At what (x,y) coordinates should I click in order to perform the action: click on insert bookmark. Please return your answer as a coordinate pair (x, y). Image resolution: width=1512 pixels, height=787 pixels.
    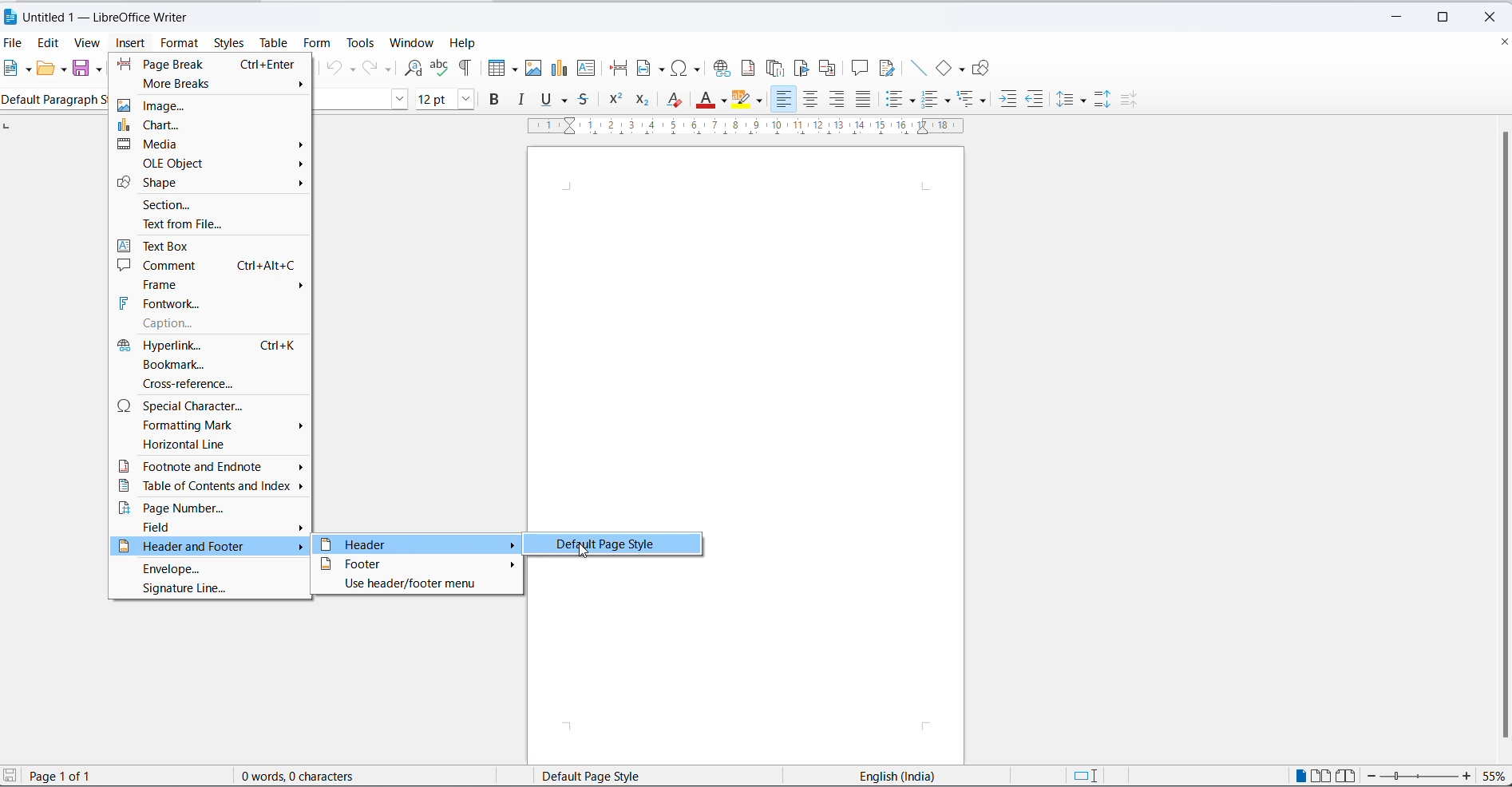
    Looking at the image, I should click on (802, 69).